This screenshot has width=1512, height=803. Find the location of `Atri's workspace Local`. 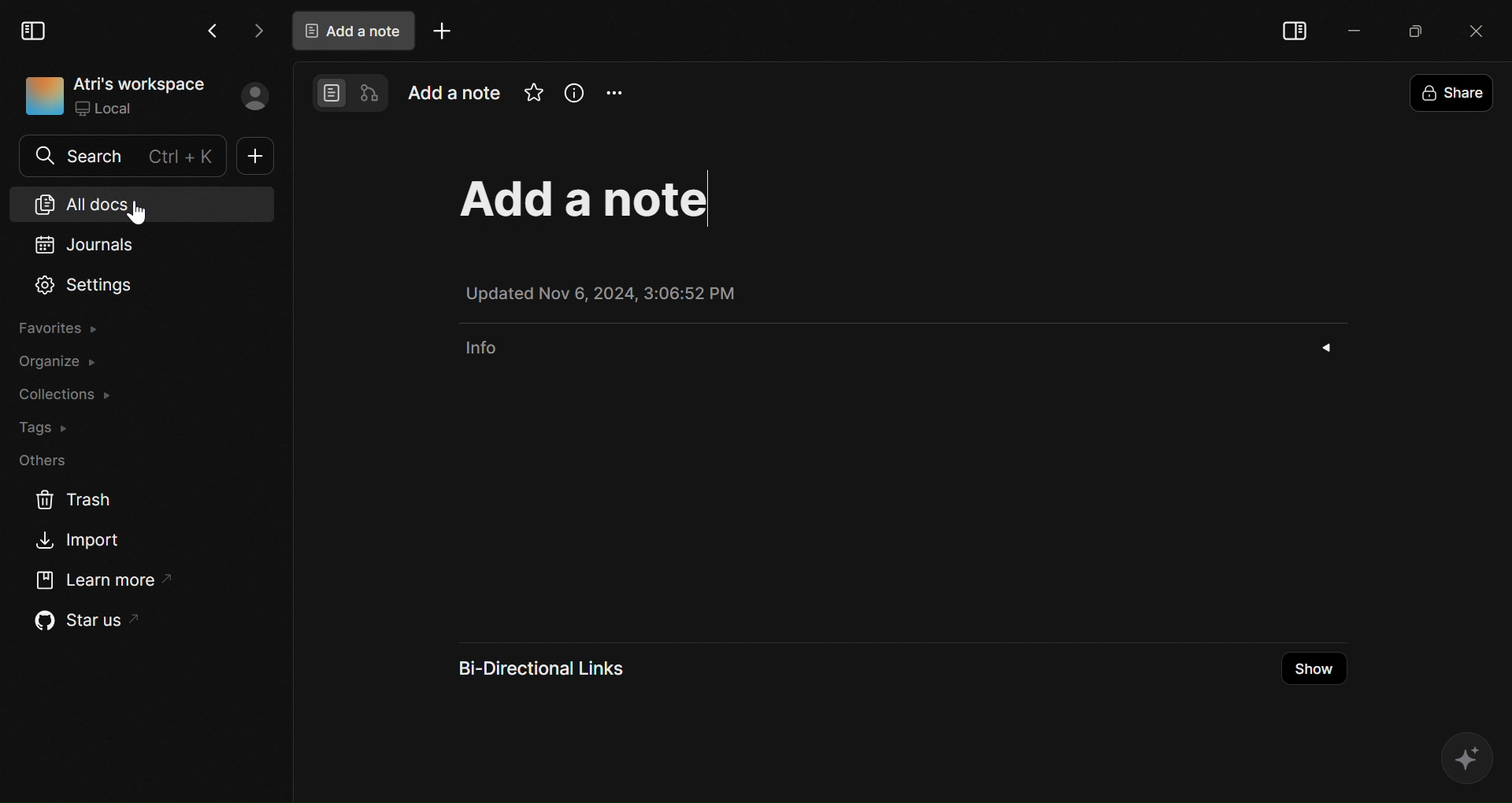

Atri's workspace Local is located at coordinates (140, 97).